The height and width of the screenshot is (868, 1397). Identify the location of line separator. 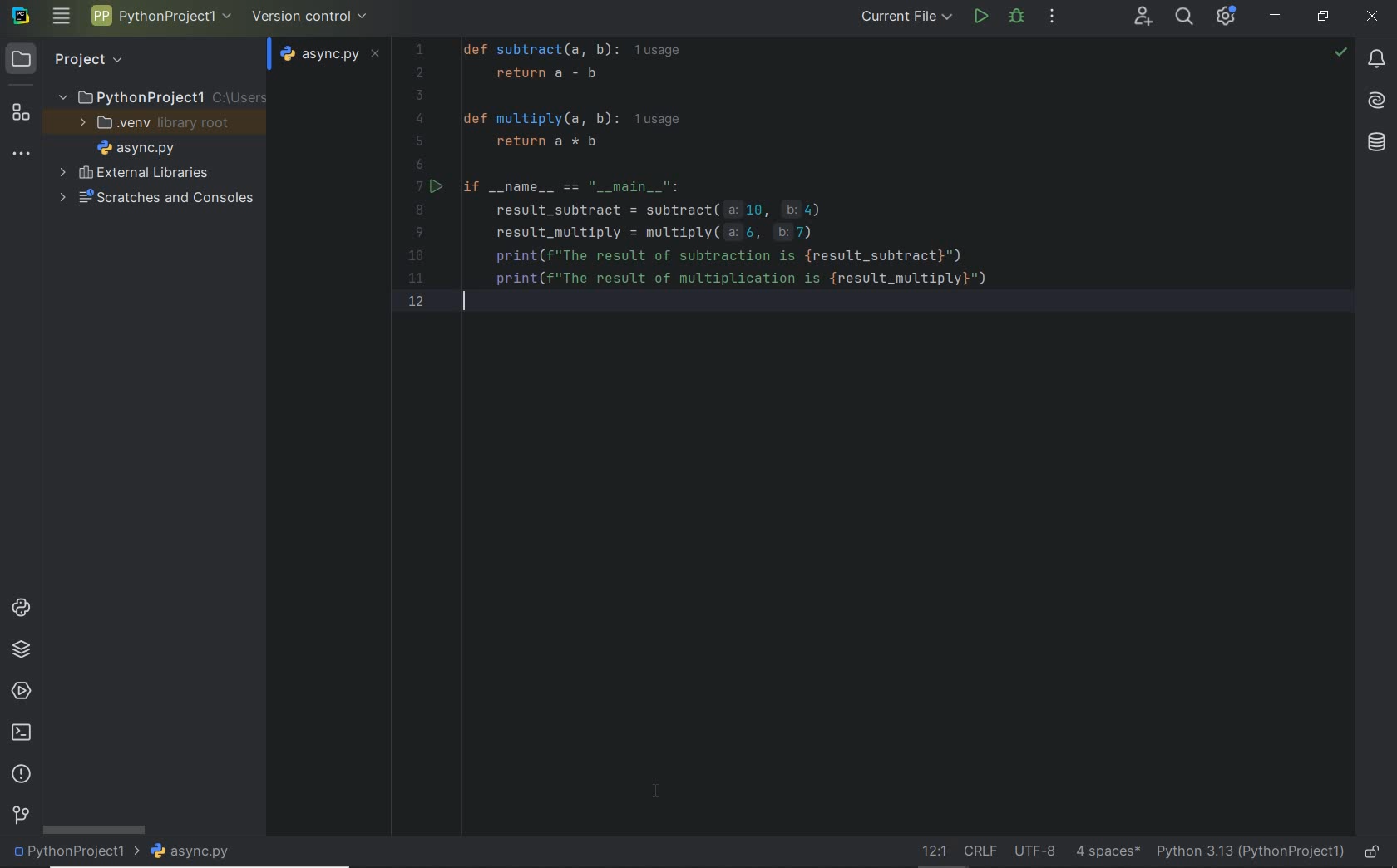
(983, 849).